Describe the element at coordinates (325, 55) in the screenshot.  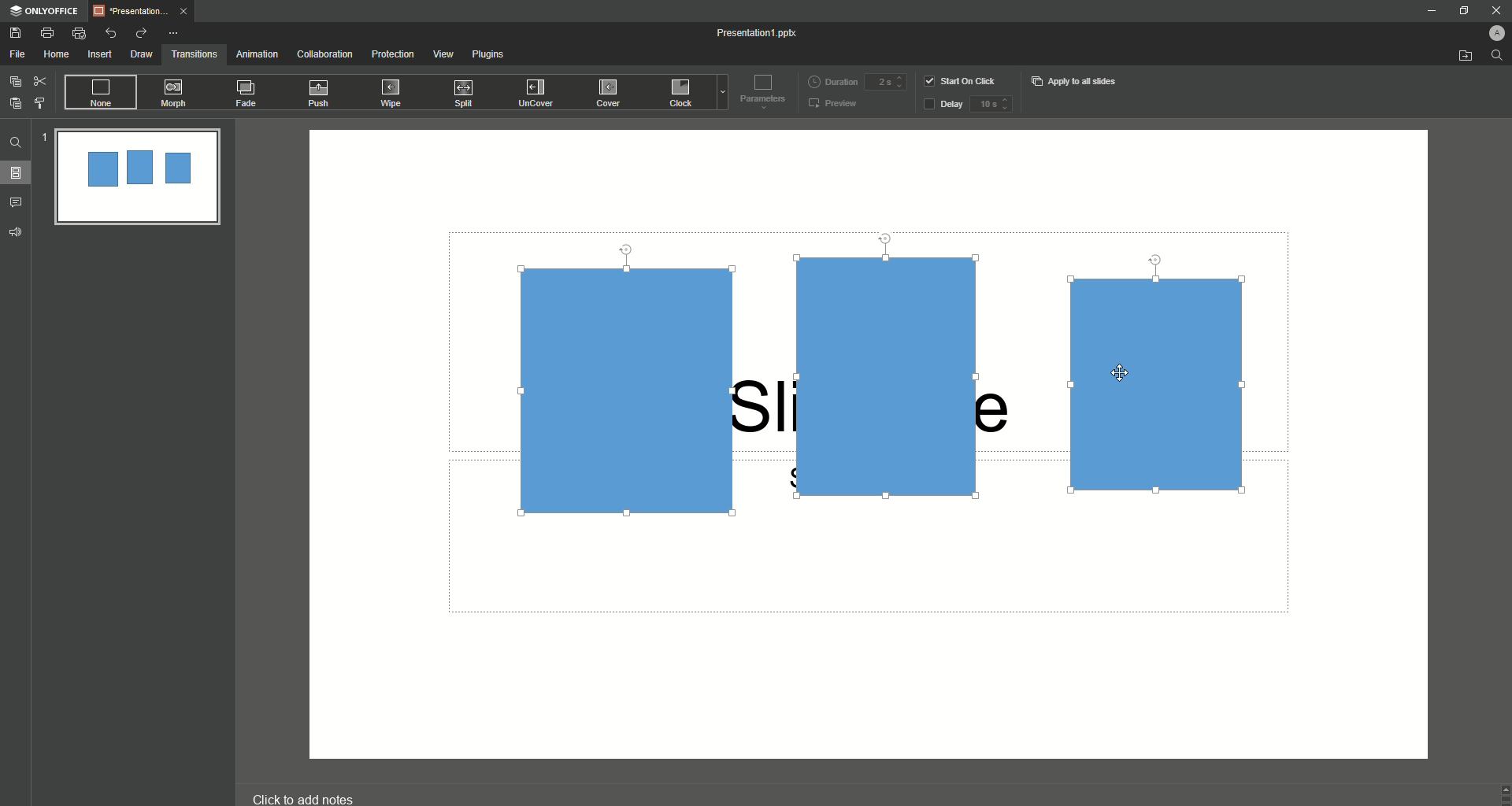
I see `Collaboration` at that location.